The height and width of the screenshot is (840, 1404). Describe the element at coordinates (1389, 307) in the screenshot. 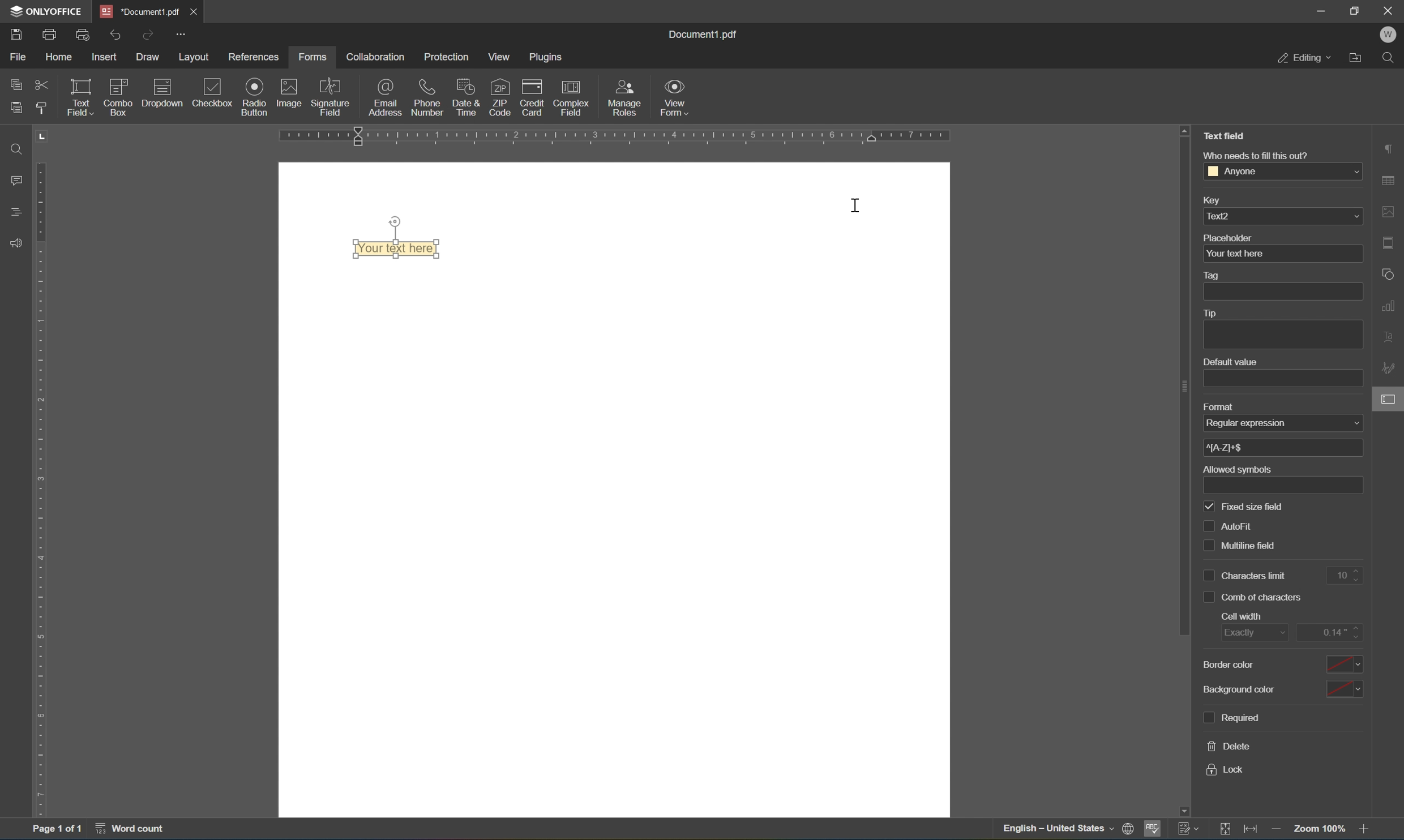

I see `chart settings` at that location.